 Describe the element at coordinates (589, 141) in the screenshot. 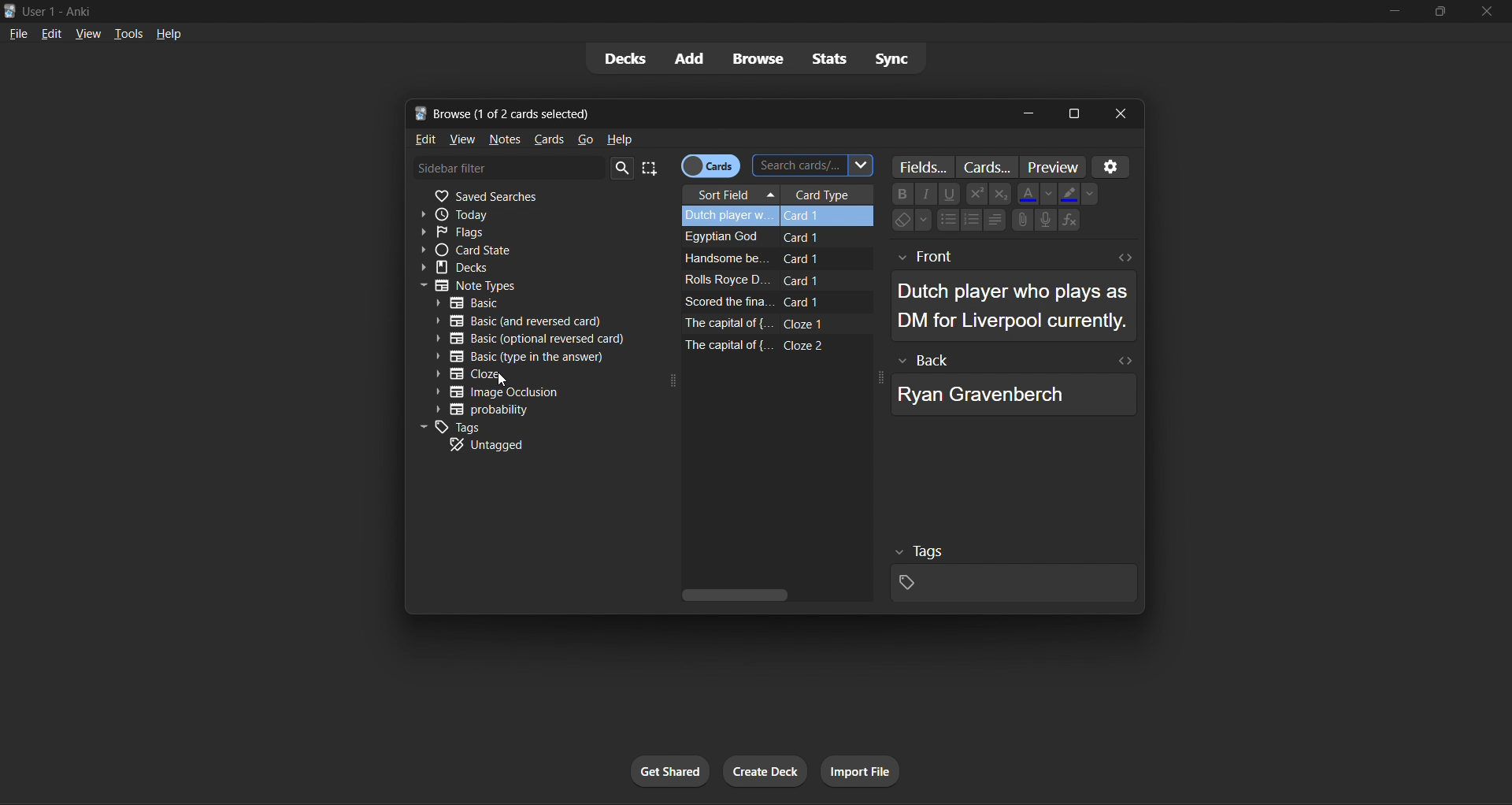

I see `go` at that location.